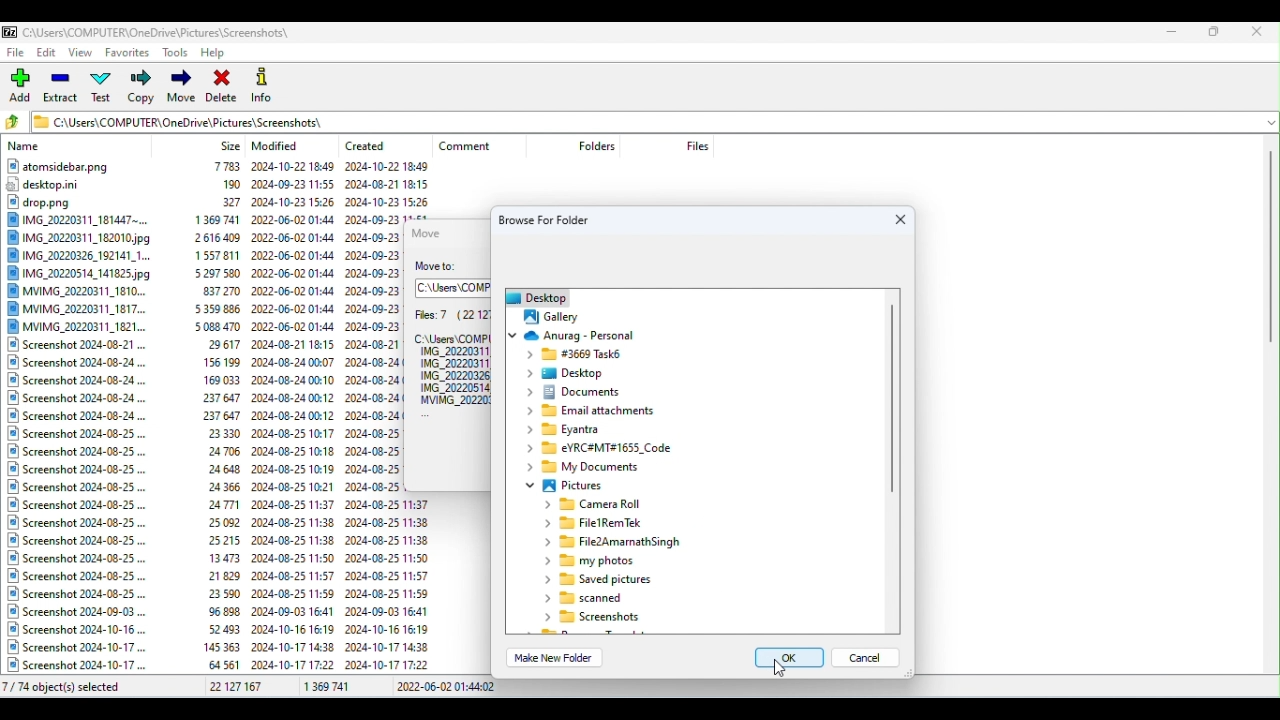 The height and width of the screenshot is (720, 1280). I want to click on Comment, so click(474, 146).